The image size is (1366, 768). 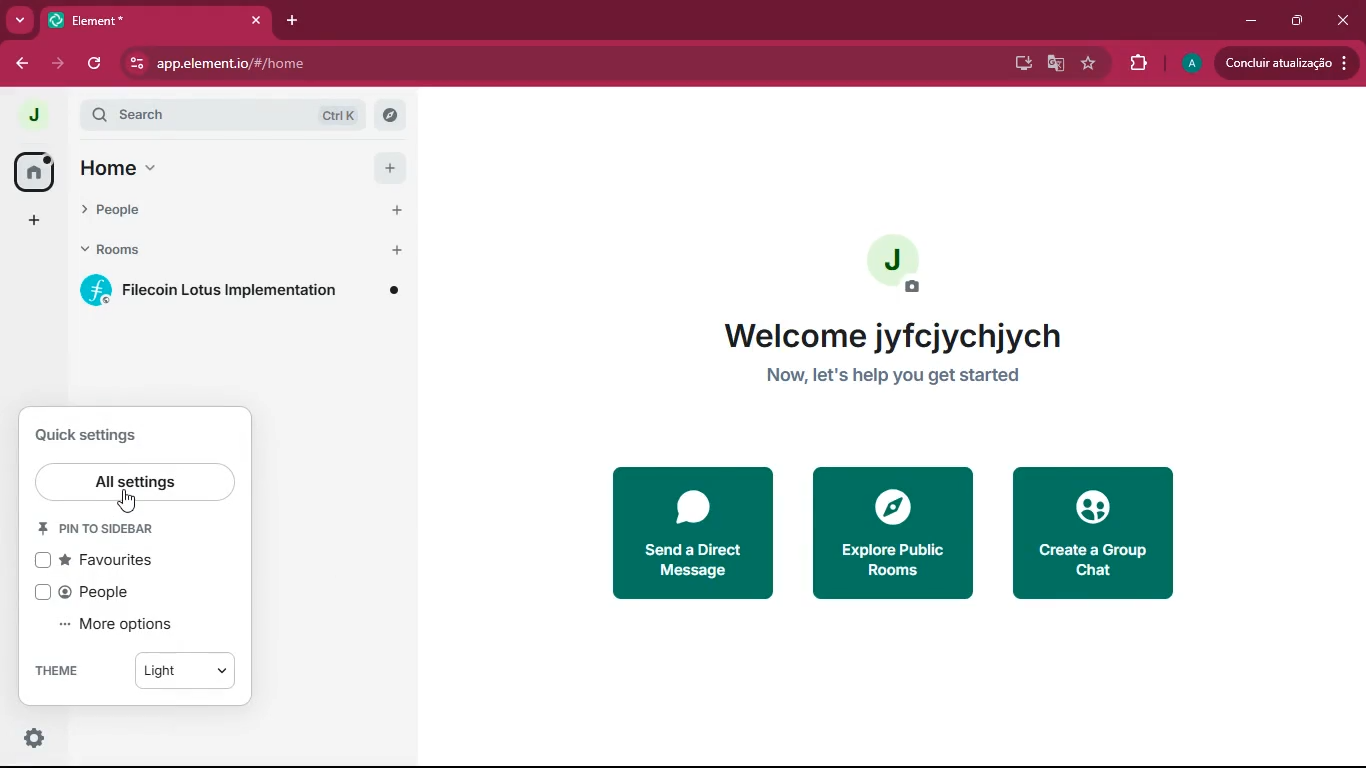 What do you see at coordinates (1345, 22) in the screenshot?
I see `close` at bounding box center [1345, 22].